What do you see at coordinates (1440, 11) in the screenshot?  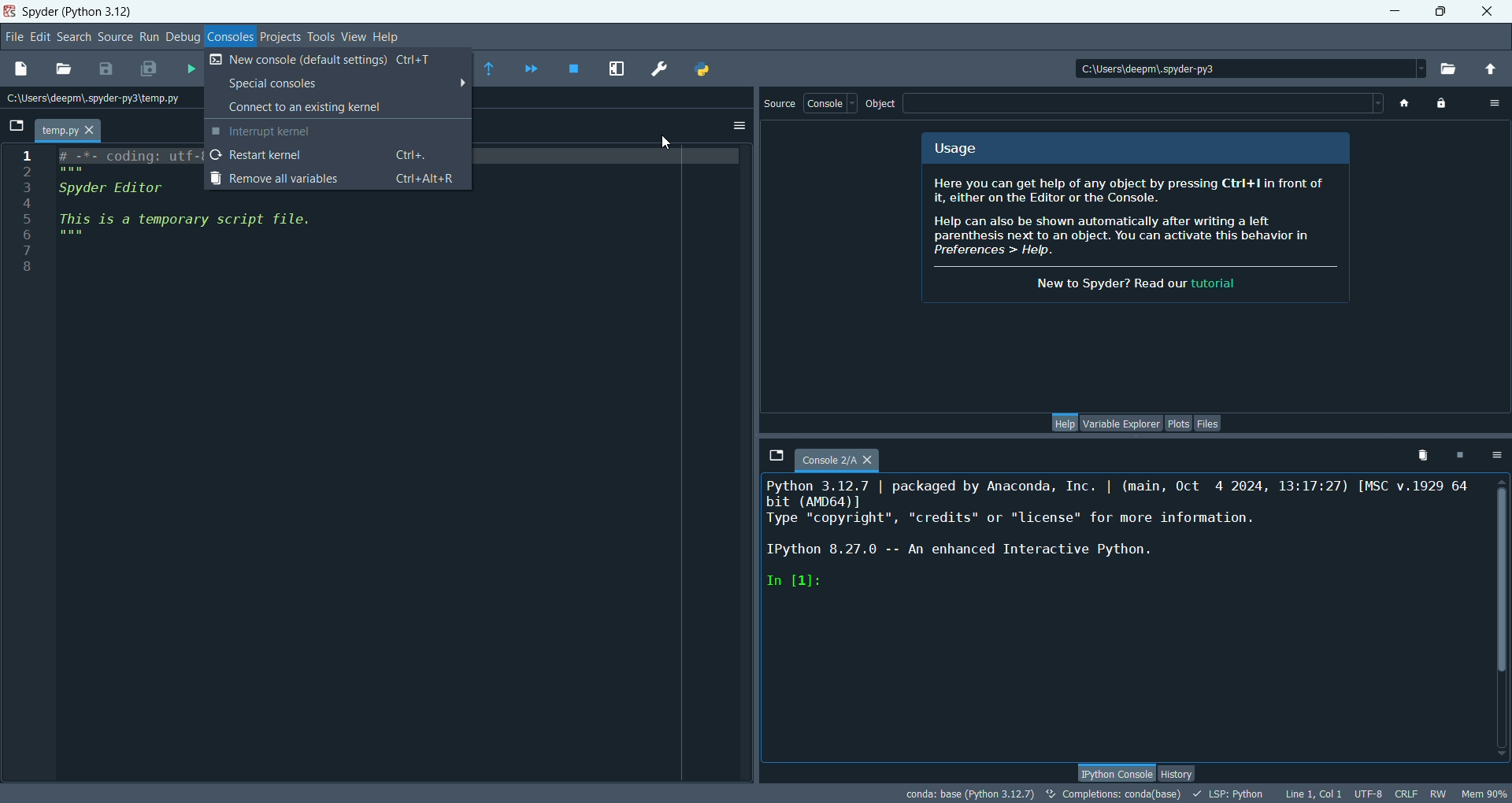 I see `maximize` at bounding box center [1440, 11].